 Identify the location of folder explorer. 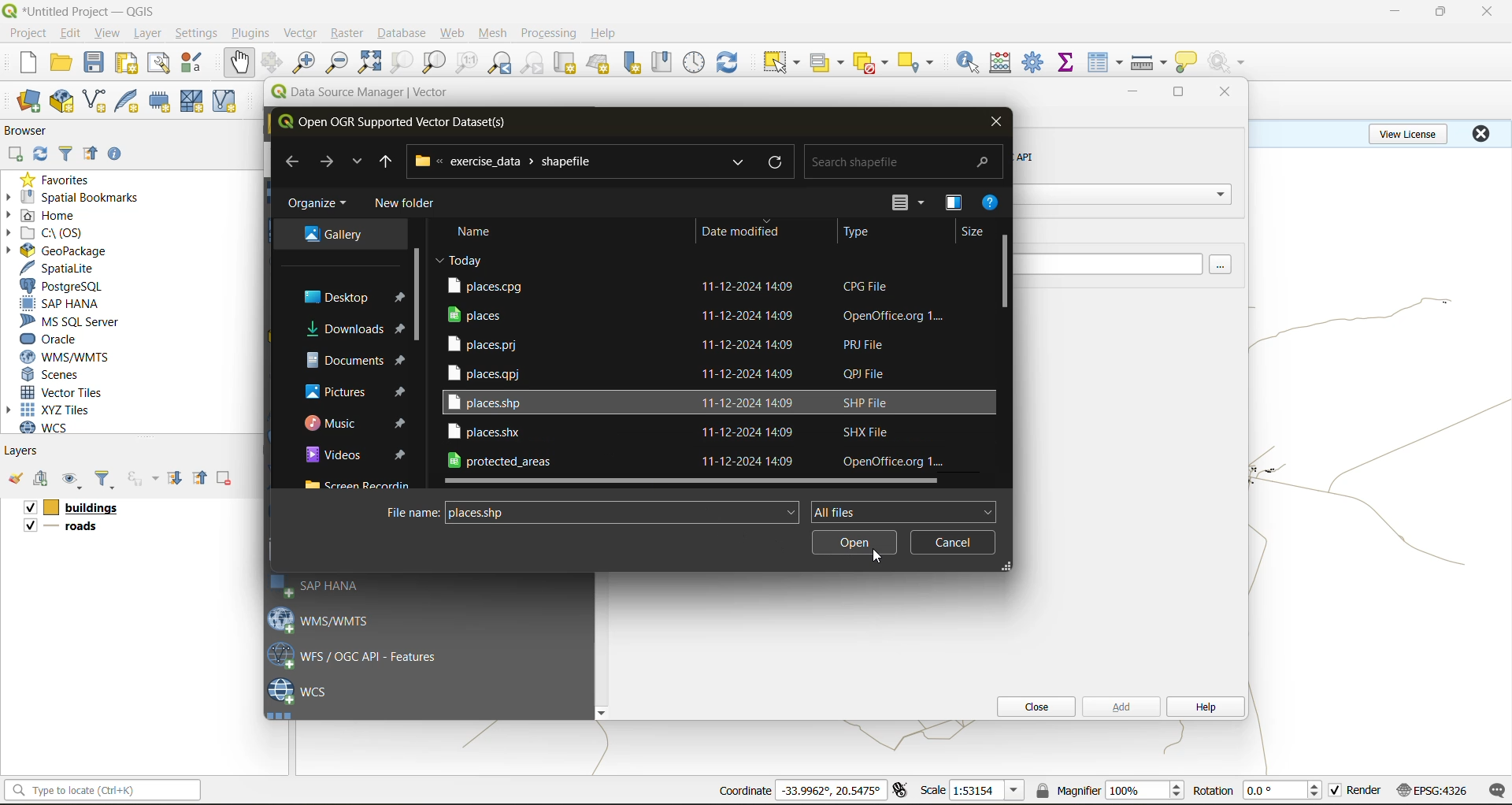
(356, 391).